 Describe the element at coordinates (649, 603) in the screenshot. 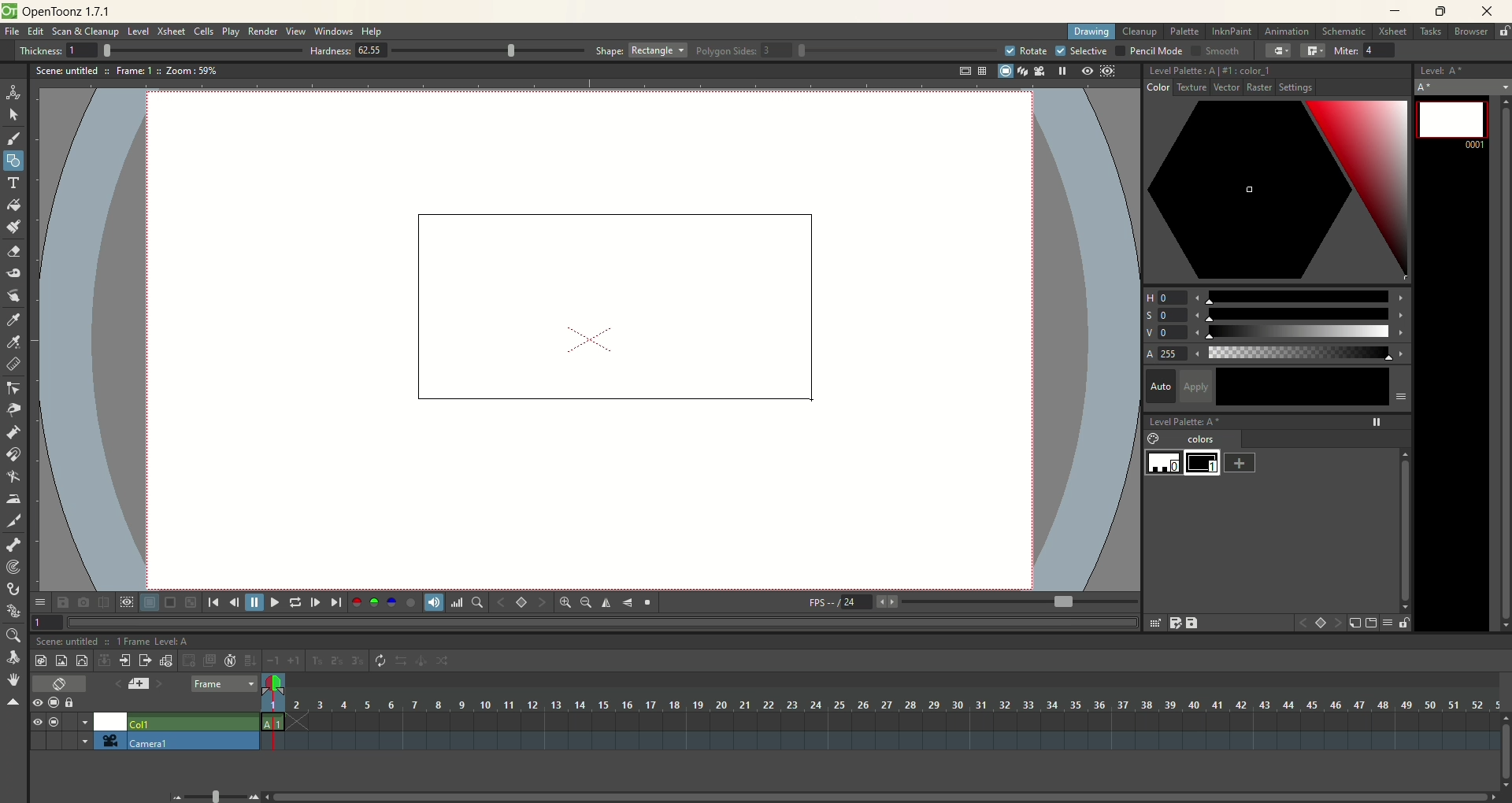

I see `reset view` at that location.